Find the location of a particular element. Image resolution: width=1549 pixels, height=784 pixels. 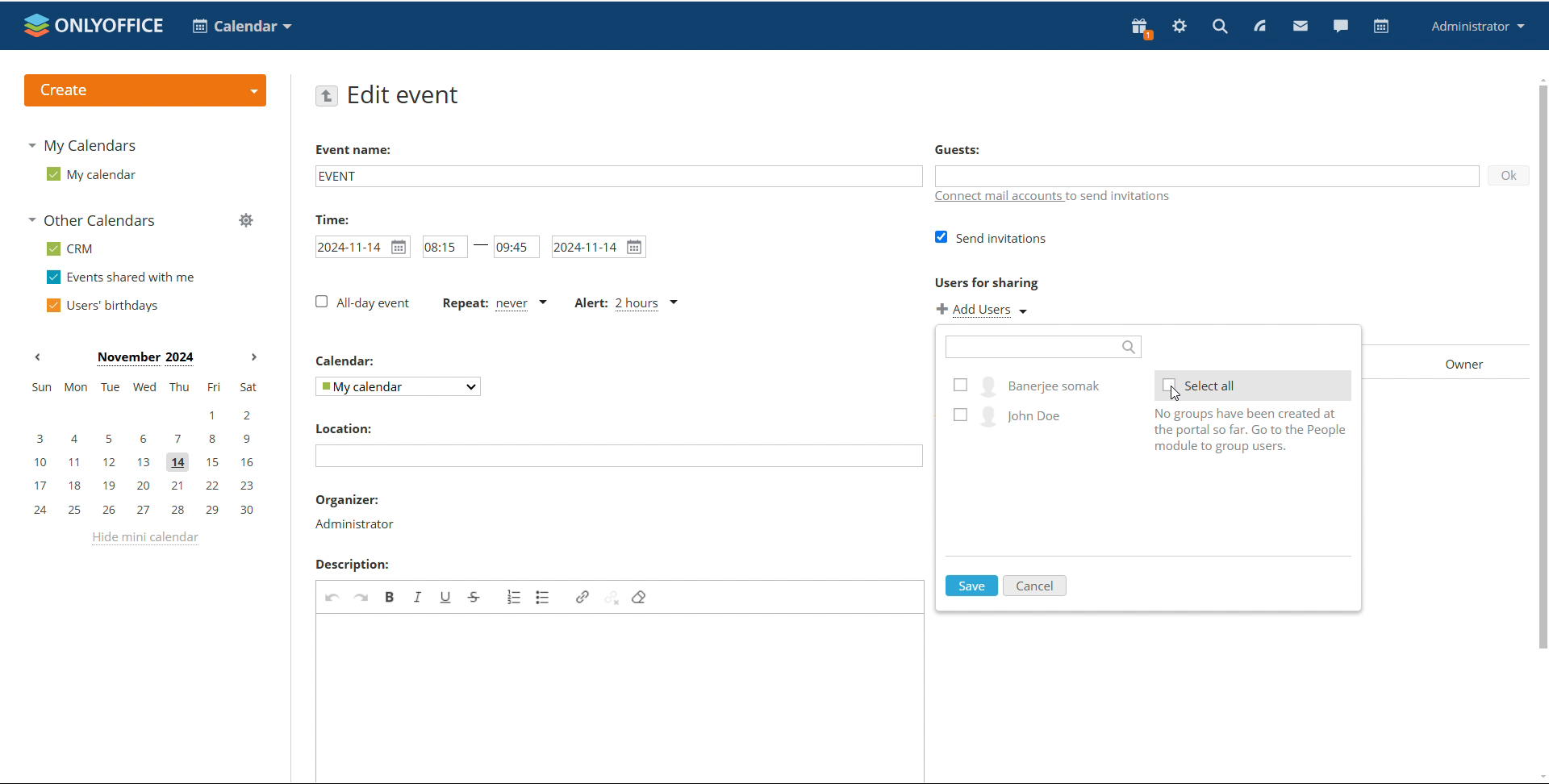

inset/remove numbered list is located at coordinates (514, 597).